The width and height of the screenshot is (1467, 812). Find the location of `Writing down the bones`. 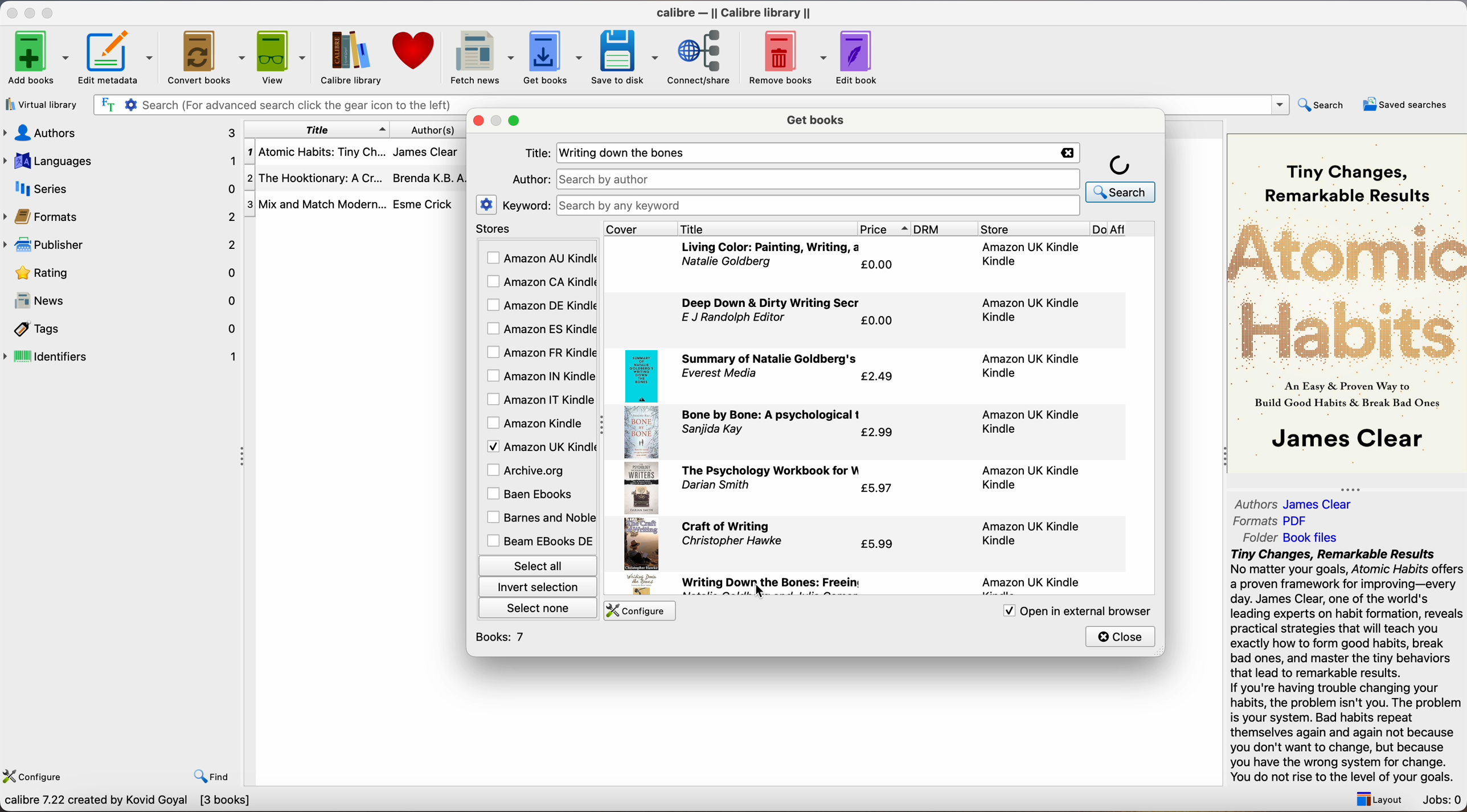

Writing down the bones is located at coordinates (629, 153).